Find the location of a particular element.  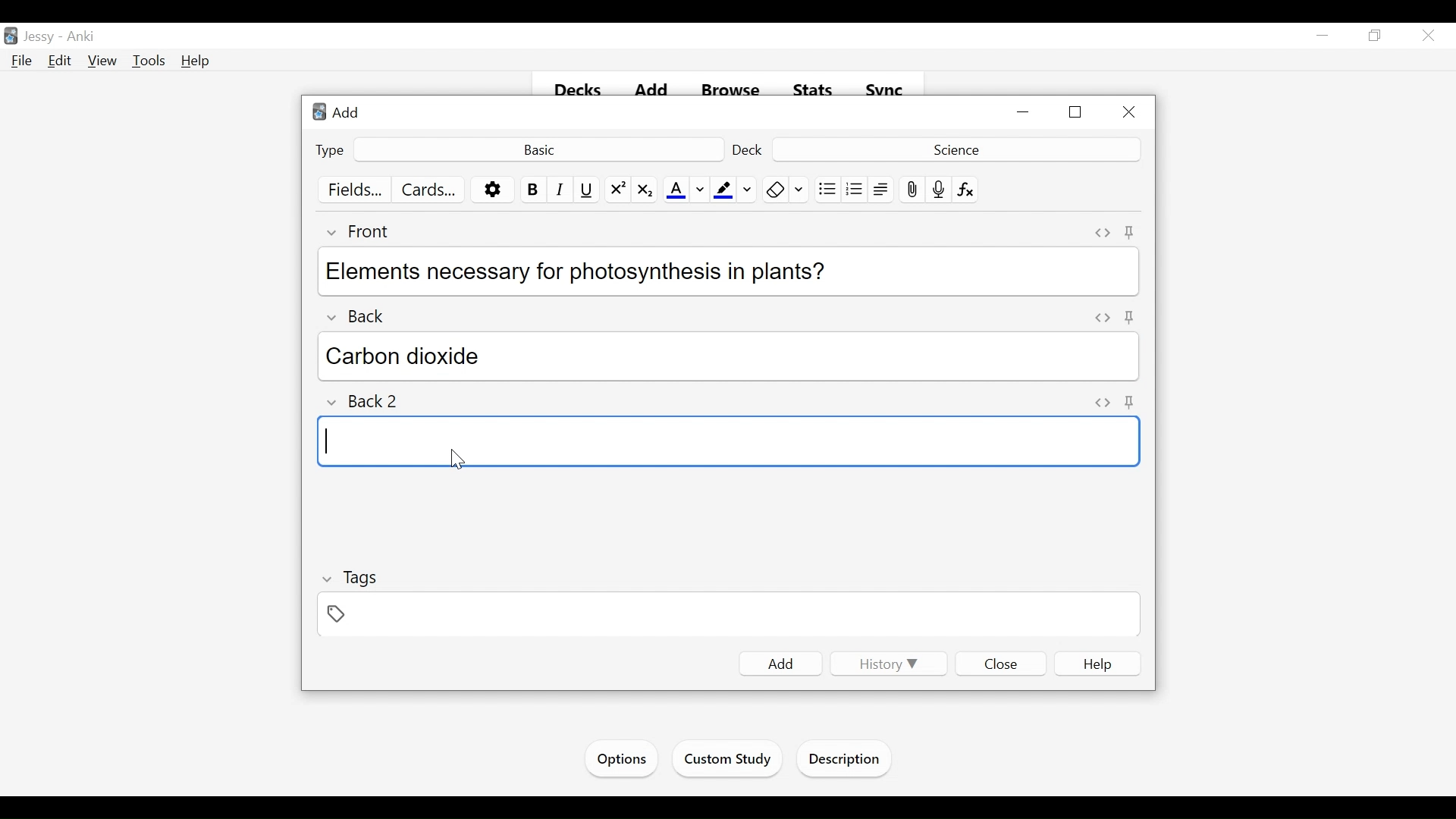

Record Audio is located at coordinates (939, 190).